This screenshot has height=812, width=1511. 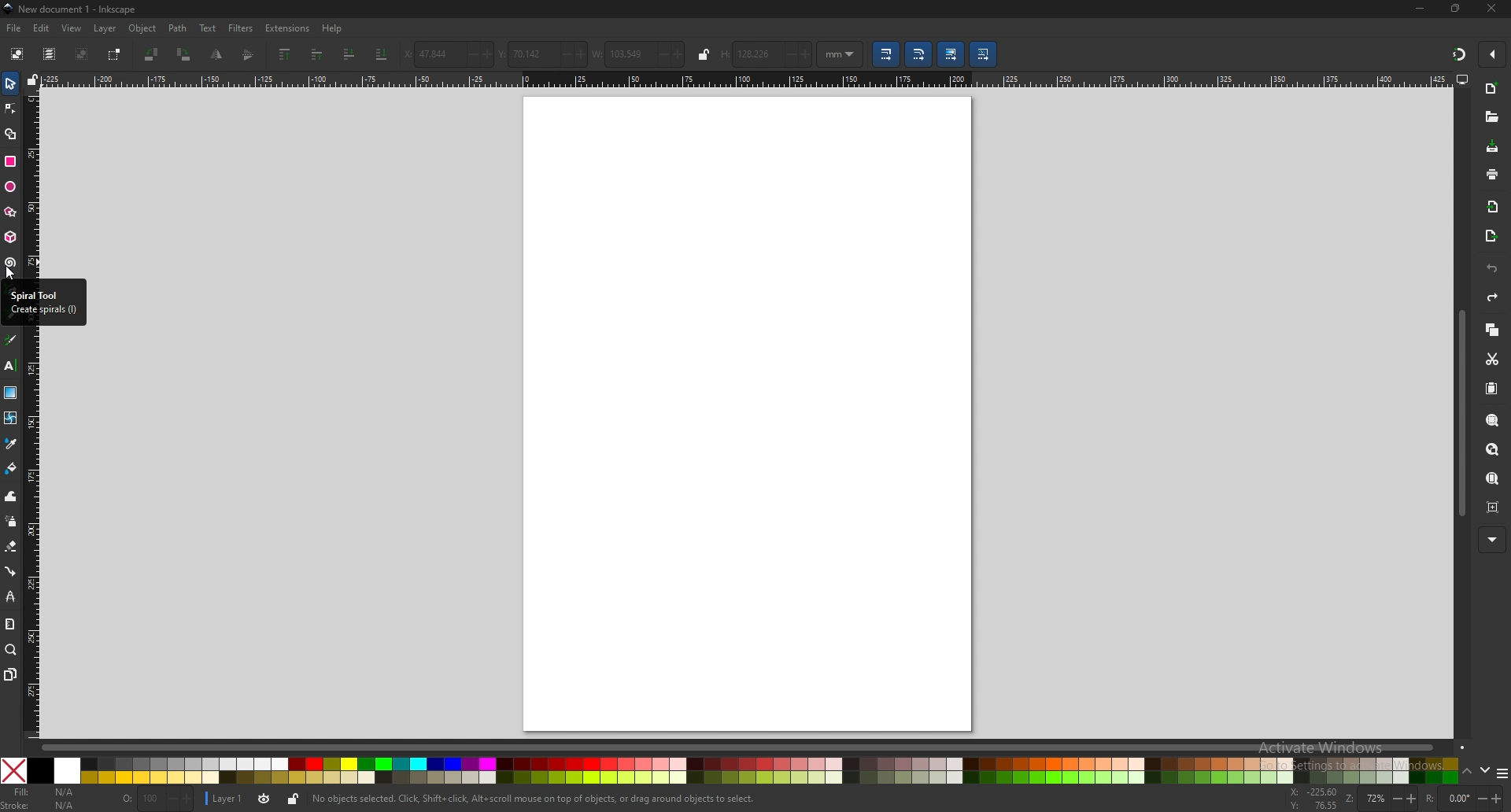 I want to click on X: -225.60    Y: 76.55, so click(x=1314, y=799).